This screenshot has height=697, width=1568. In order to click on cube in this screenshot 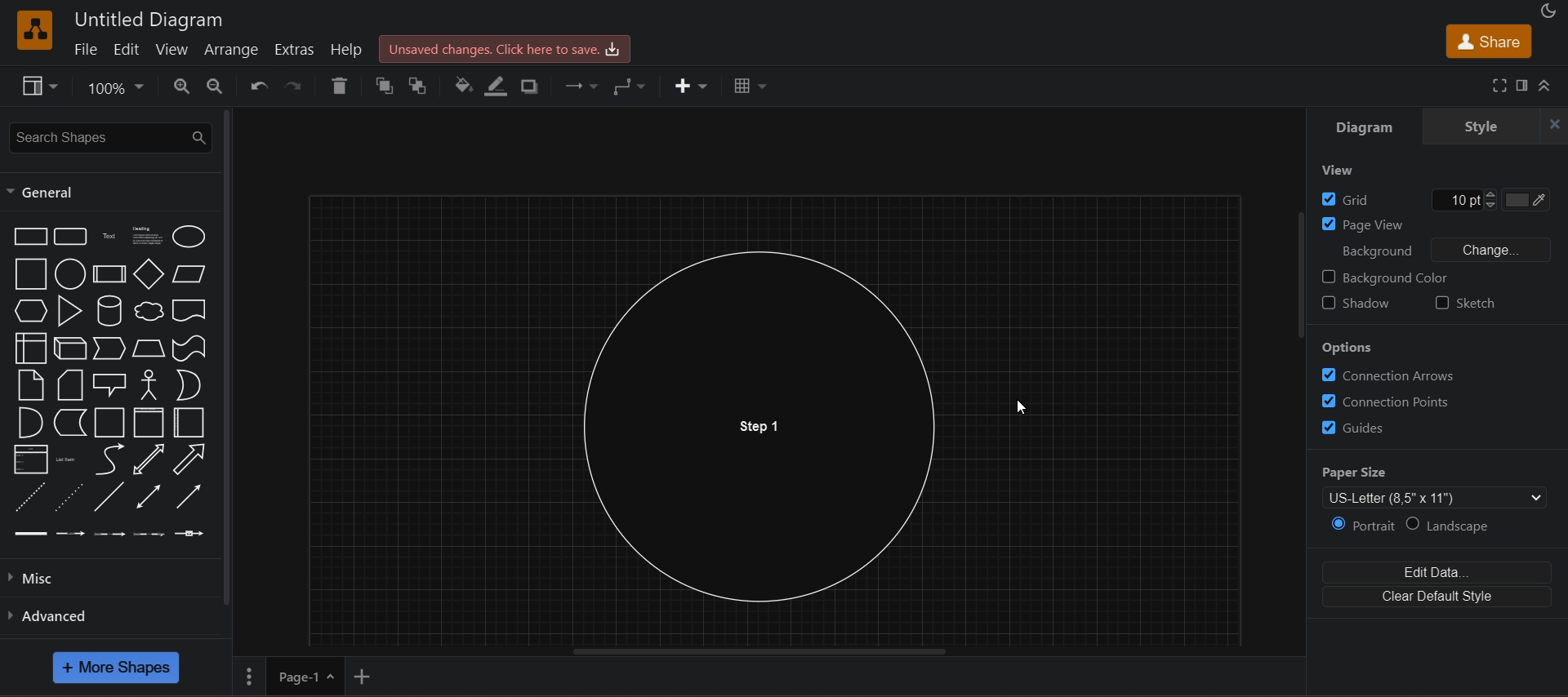, I will do `click(69, 350)`.